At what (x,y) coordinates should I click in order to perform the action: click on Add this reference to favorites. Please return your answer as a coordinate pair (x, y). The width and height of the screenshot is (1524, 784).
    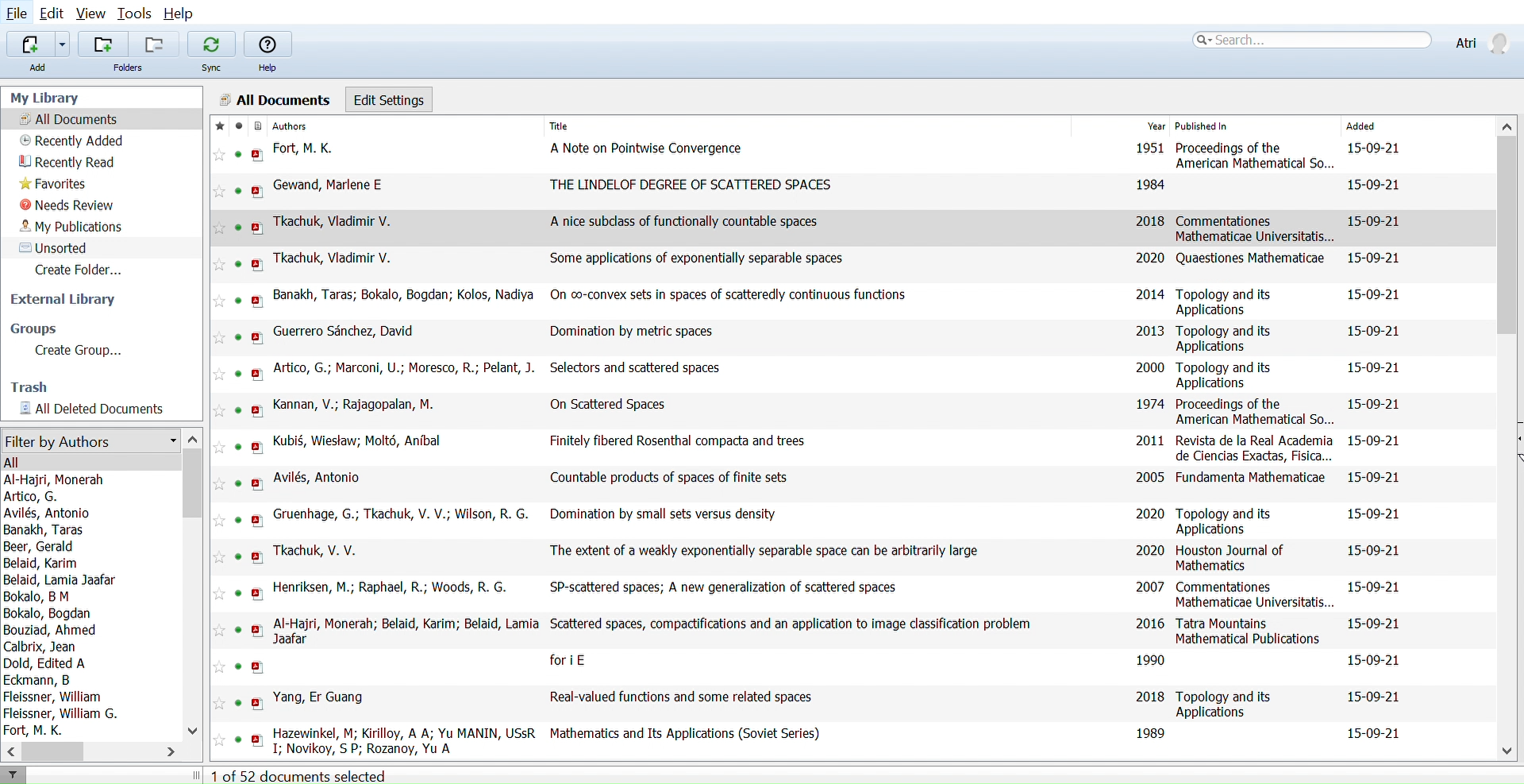
    Looking at the image, I should click on (220, 704).